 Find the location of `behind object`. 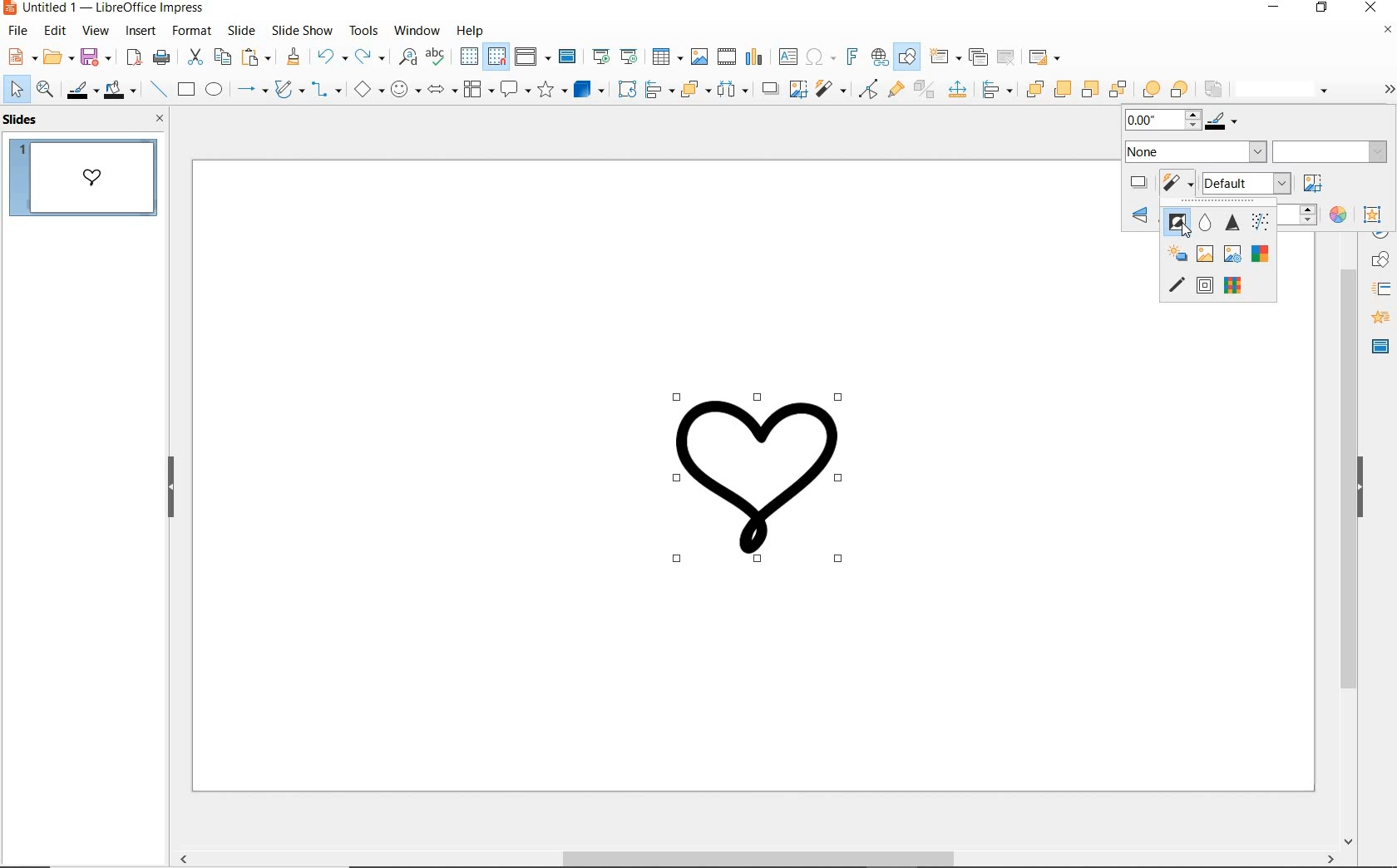

behind object is located at coordinates (1181, 89).